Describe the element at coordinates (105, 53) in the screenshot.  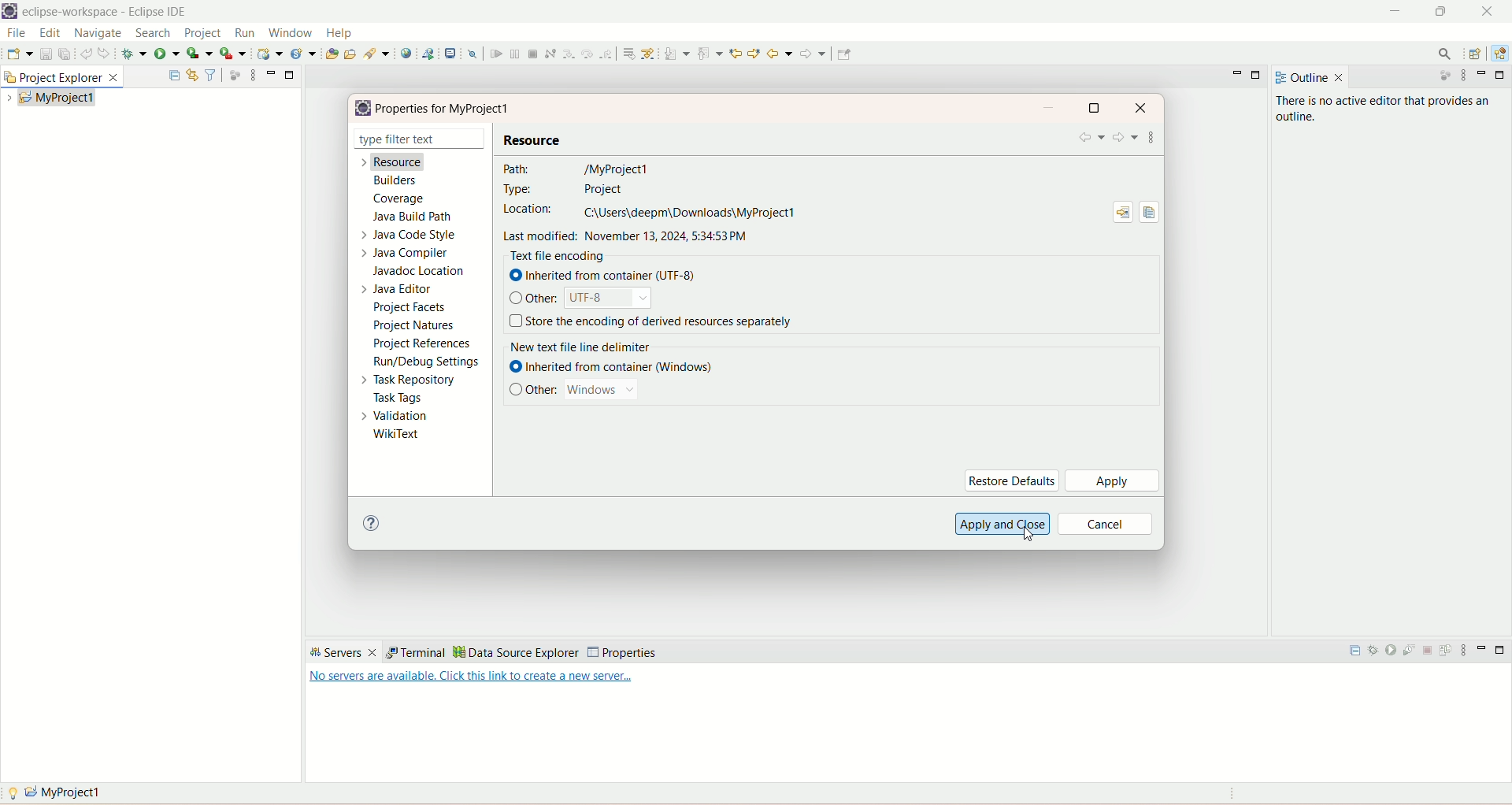
I see `redo` at that location.